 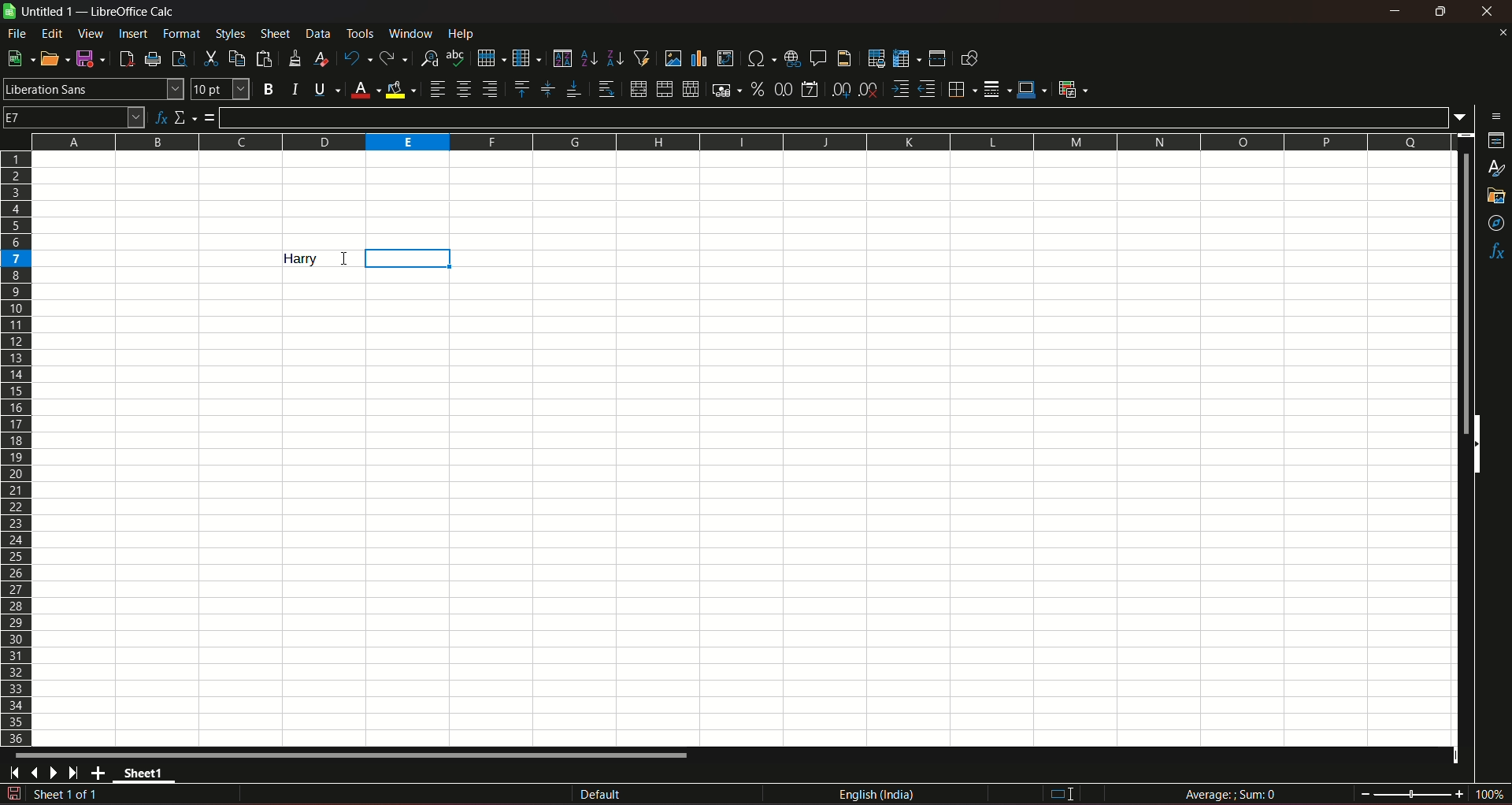 I want to click on close, so click(x=1502, y=32).